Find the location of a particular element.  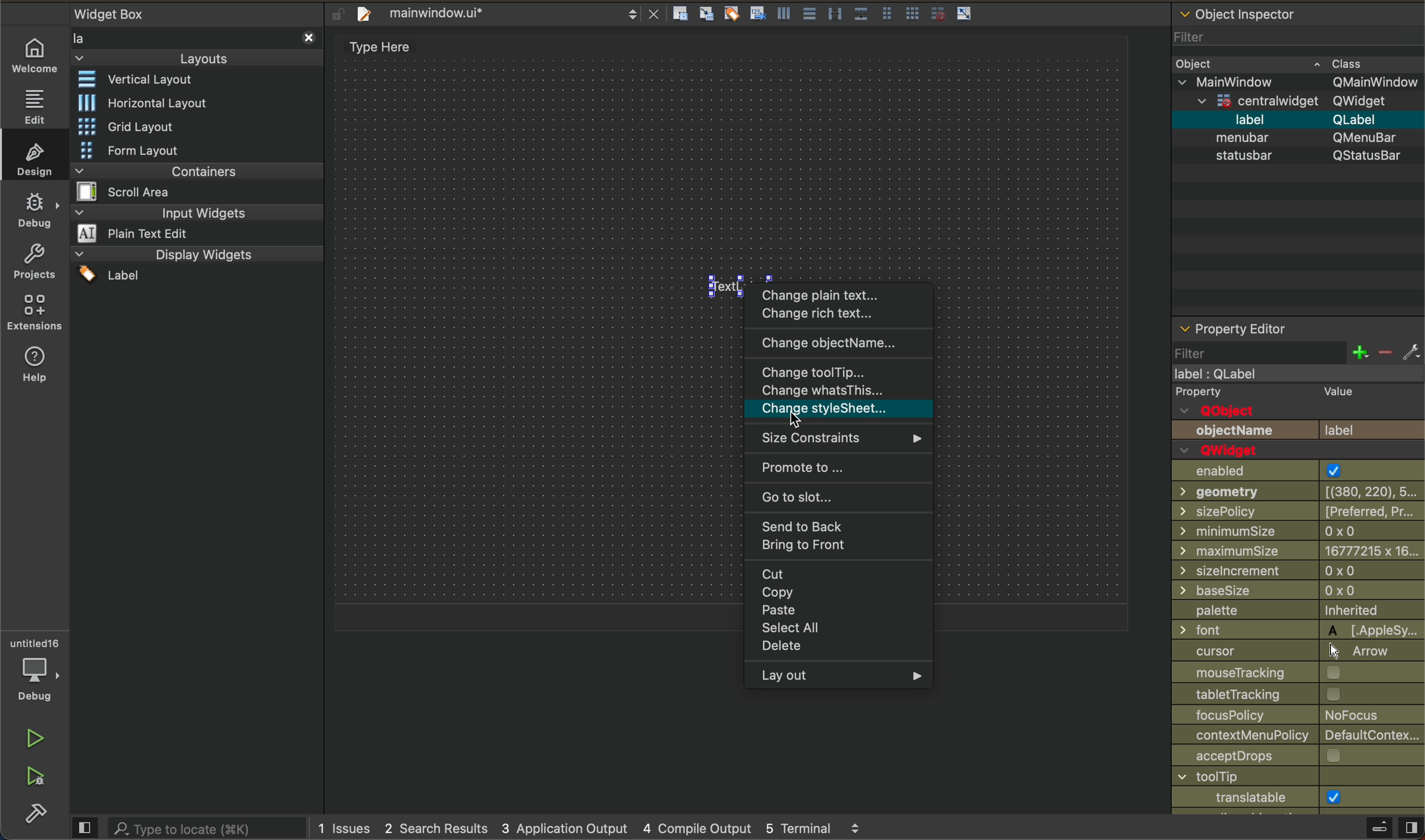

plain text is located at coordinates (844, 294).